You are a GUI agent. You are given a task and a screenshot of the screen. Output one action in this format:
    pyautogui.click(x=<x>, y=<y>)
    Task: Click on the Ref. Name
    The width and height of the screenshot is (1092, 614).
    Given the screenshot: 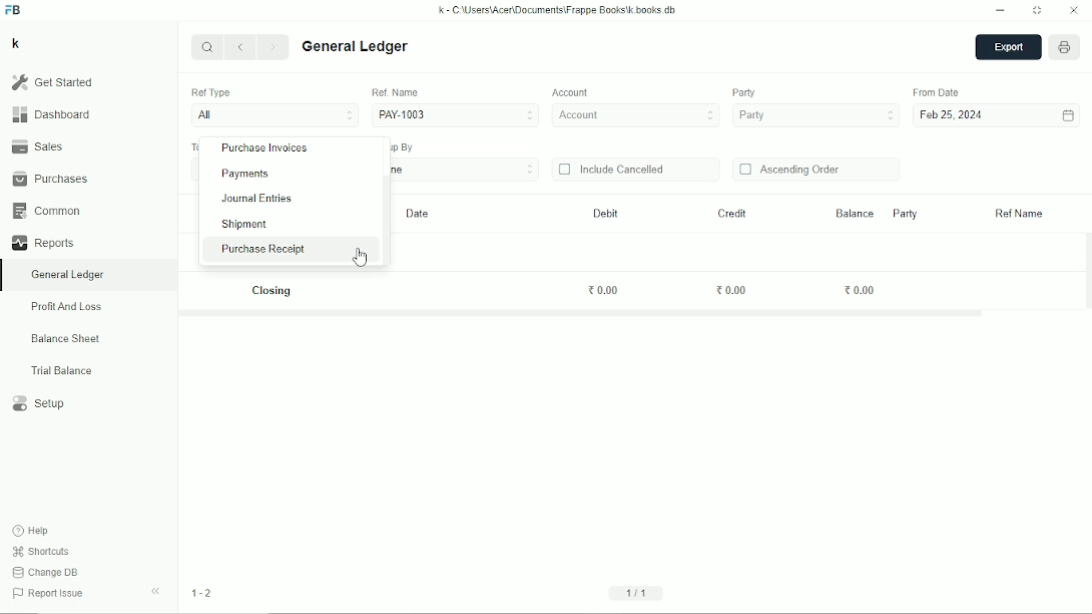 What is the action you would take?
    pyautogui.click(x=395, y=92)
    